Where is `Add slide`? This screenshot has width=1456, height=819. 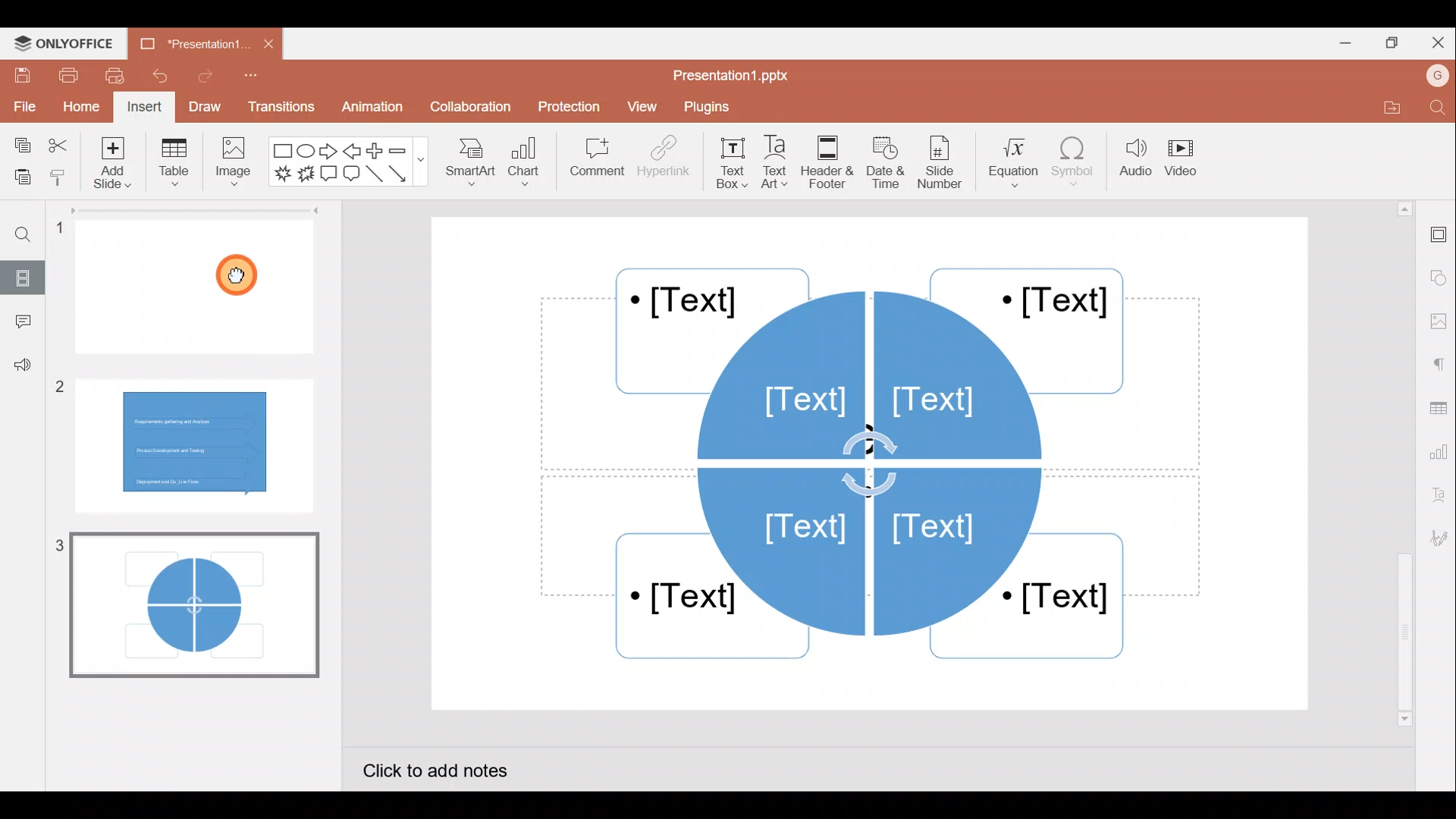 Add slide is located at coordinates (109, 165).